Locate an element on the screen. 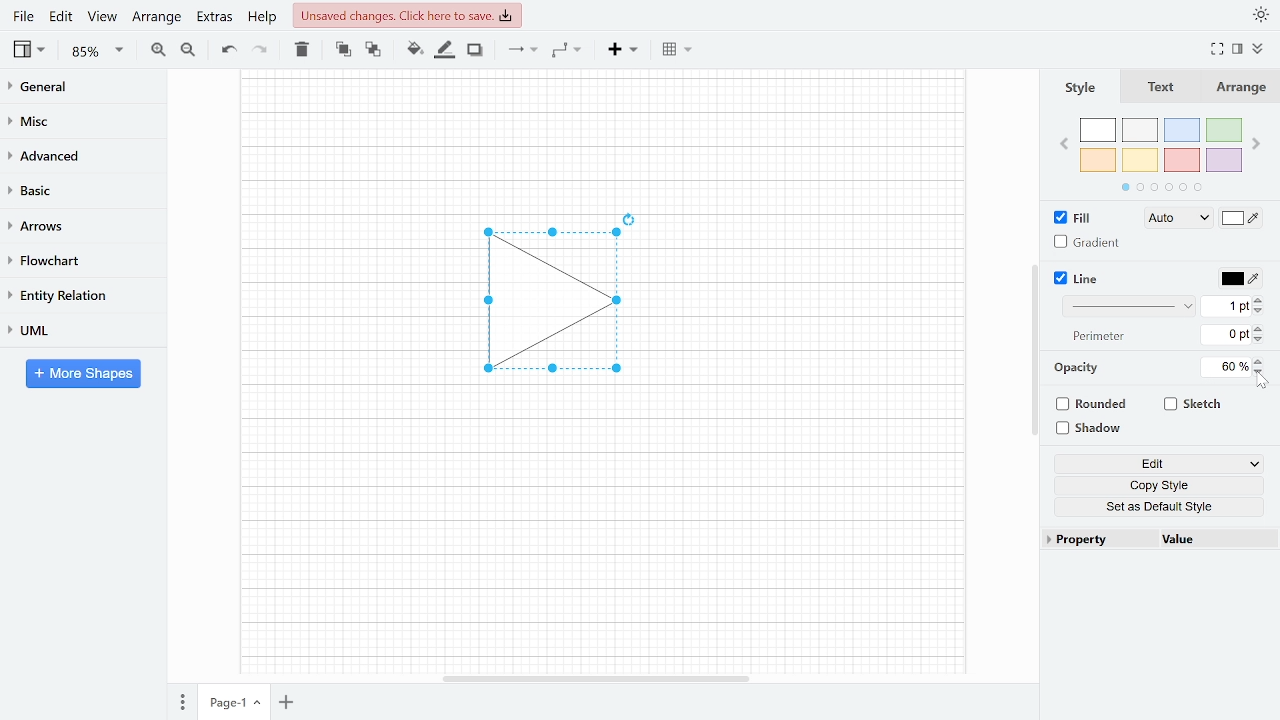 This screenshot has width=1280, height=720. Current page is located at coordinates (223, 703).